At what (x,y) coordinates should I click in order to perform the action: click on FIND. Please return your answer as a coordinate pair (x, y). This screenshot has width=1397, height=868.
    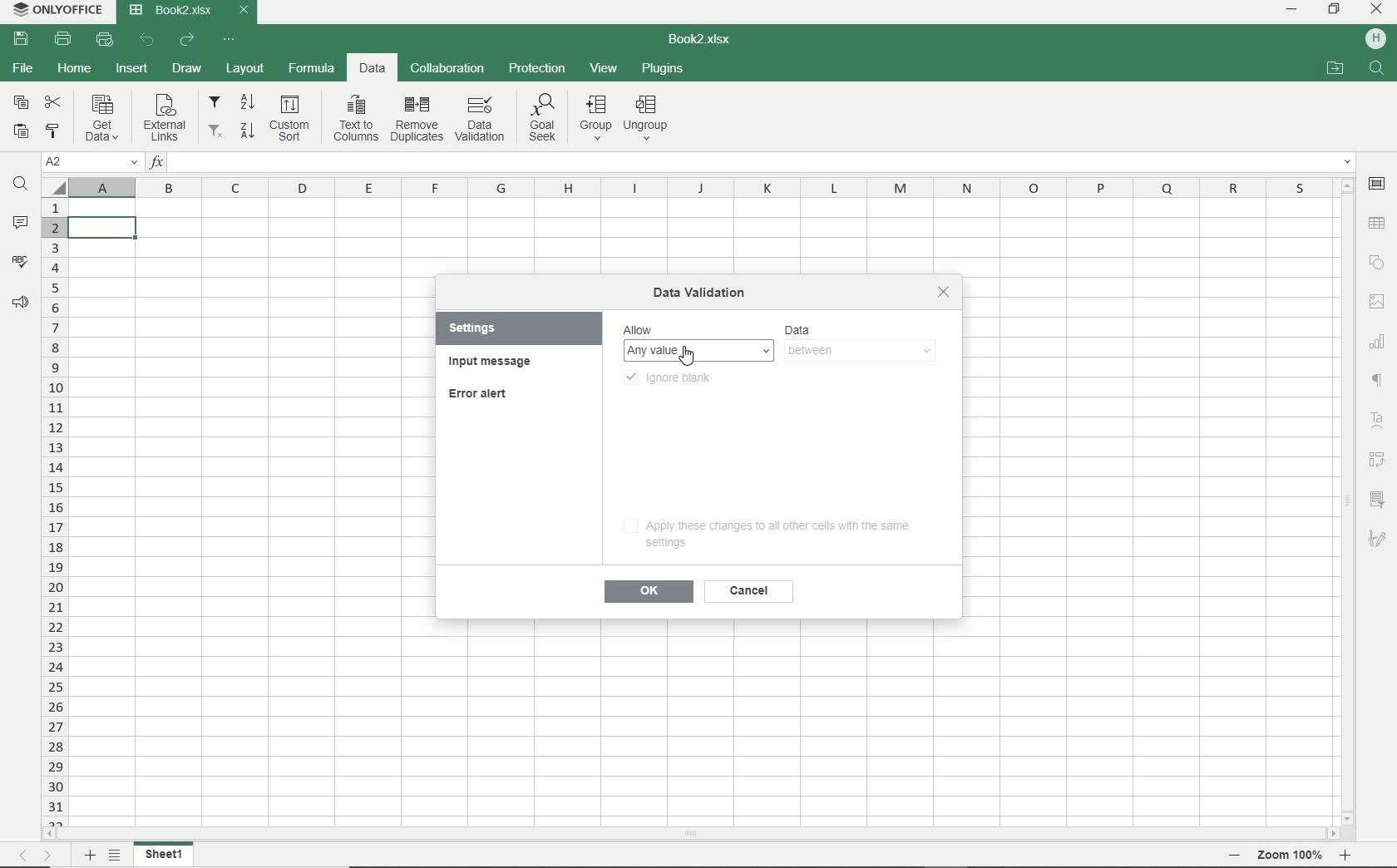
    Looking at the image, I should click on (1378, 70).